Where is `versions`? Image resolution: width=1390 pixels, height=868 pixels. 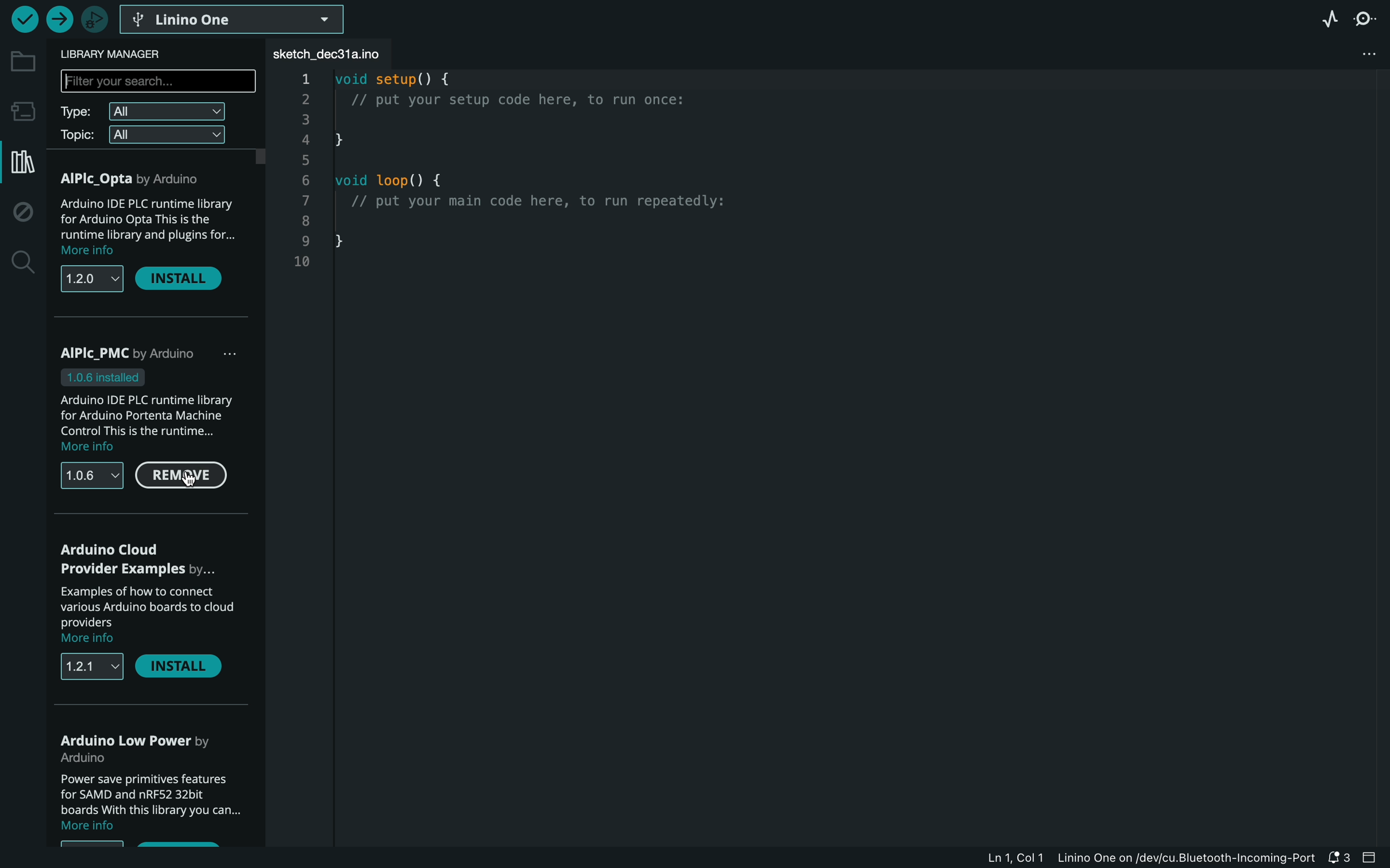 versions is located at coordinates (91, 278).